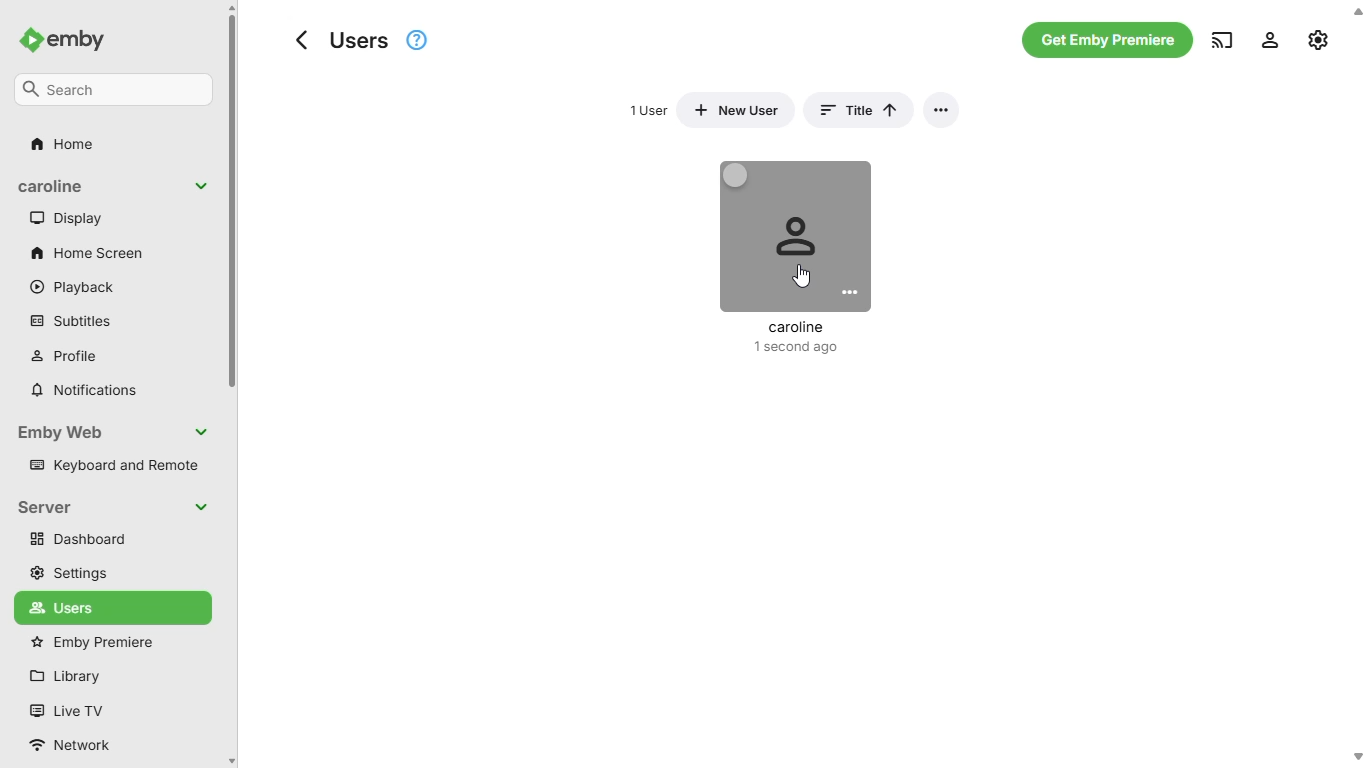 The image size is (1366, 768). I want to click on library, so click(64, 676).